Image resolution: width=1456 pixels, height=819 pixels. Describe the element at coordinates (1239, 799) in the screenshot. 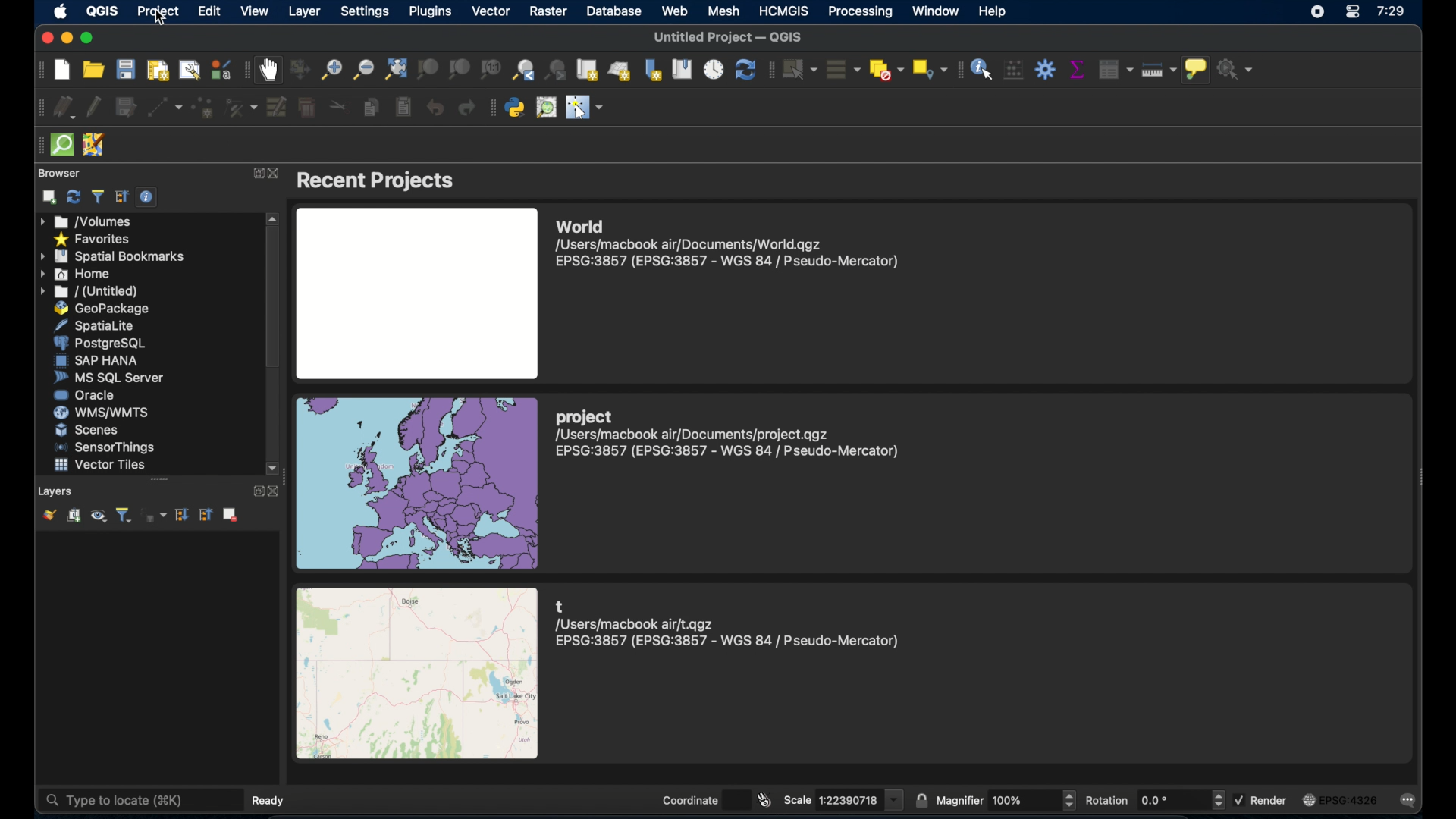

I see `checked checkbox` at that location.